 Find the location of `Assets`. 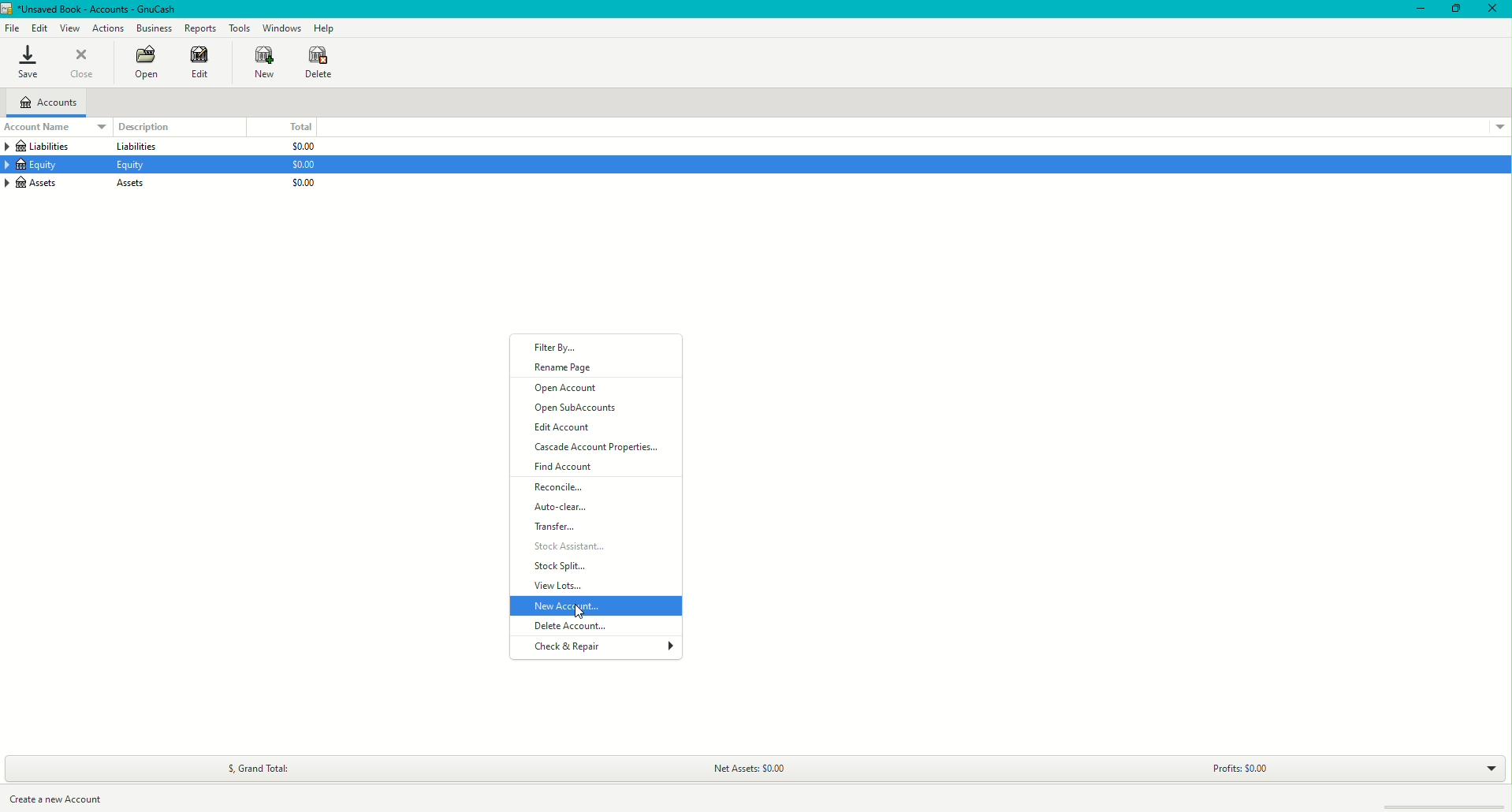

Assets is located at coordinates (46, 182).